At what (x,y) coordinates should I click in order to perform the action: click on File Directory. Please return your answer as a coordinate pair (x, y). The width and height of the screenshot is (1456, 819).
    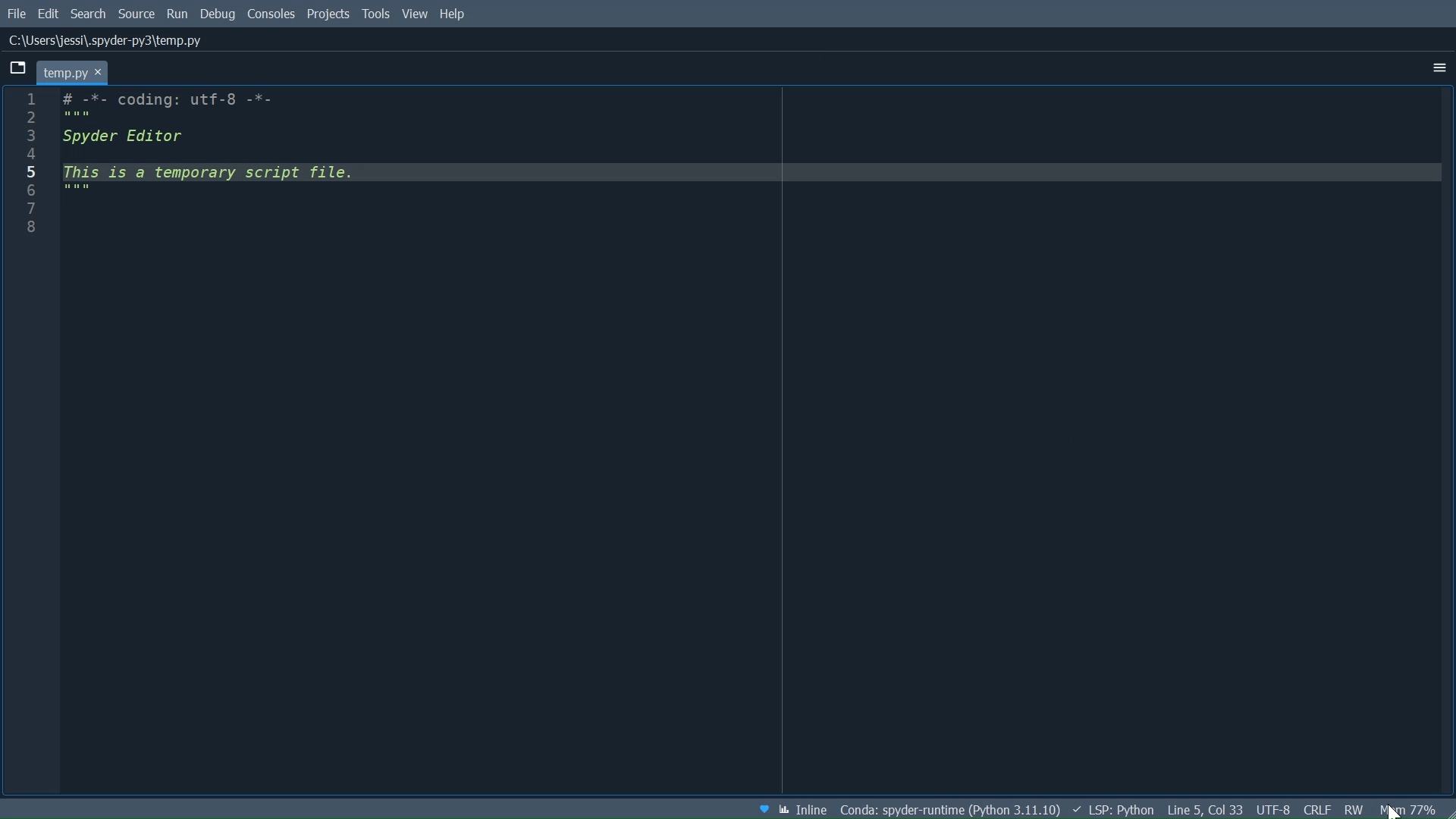
    Looking at the image, I should click on (949, 810).